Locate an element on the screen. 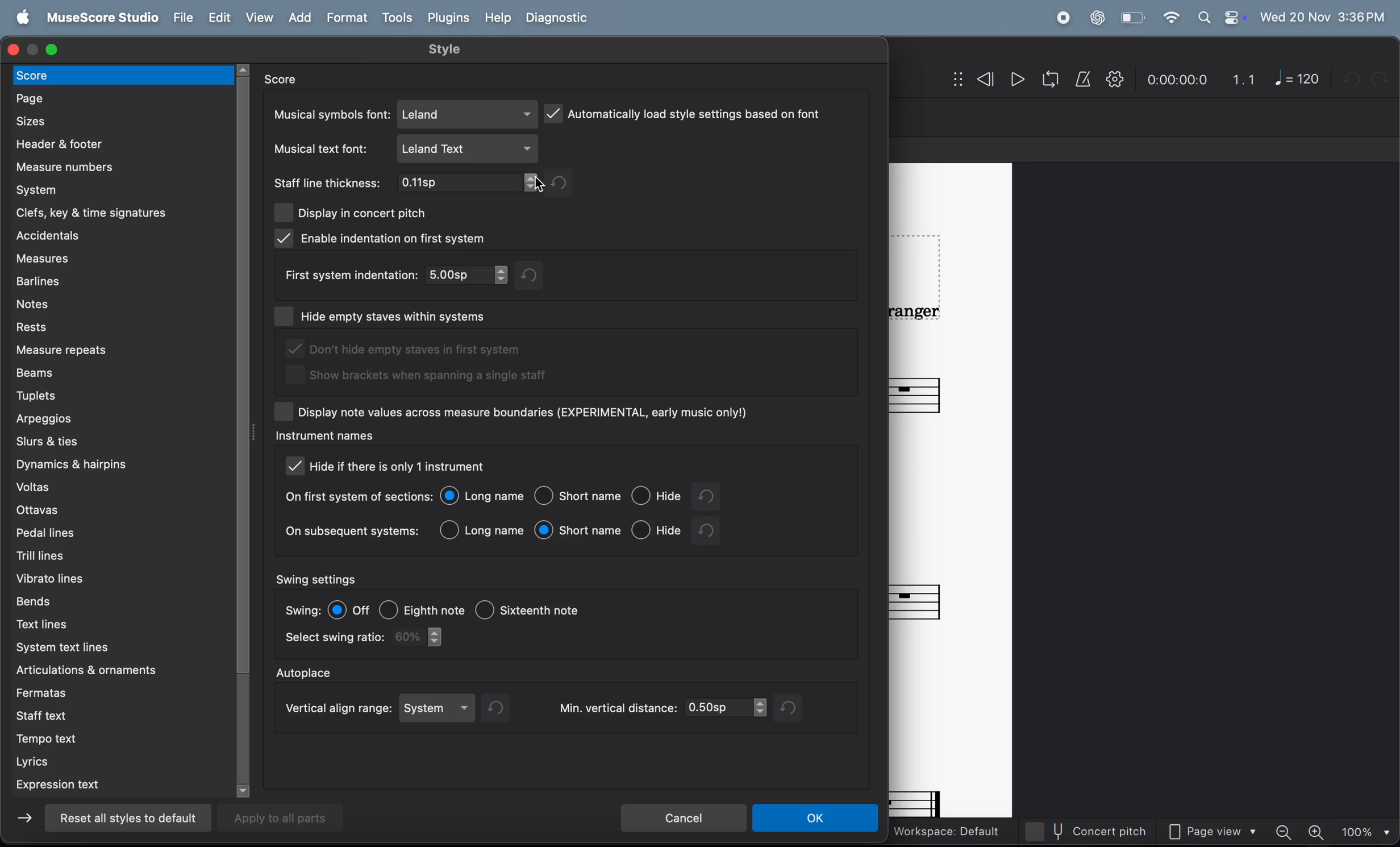 This screenshot has width=1400, height=847. arpegios is located at coordinates (101, 418).